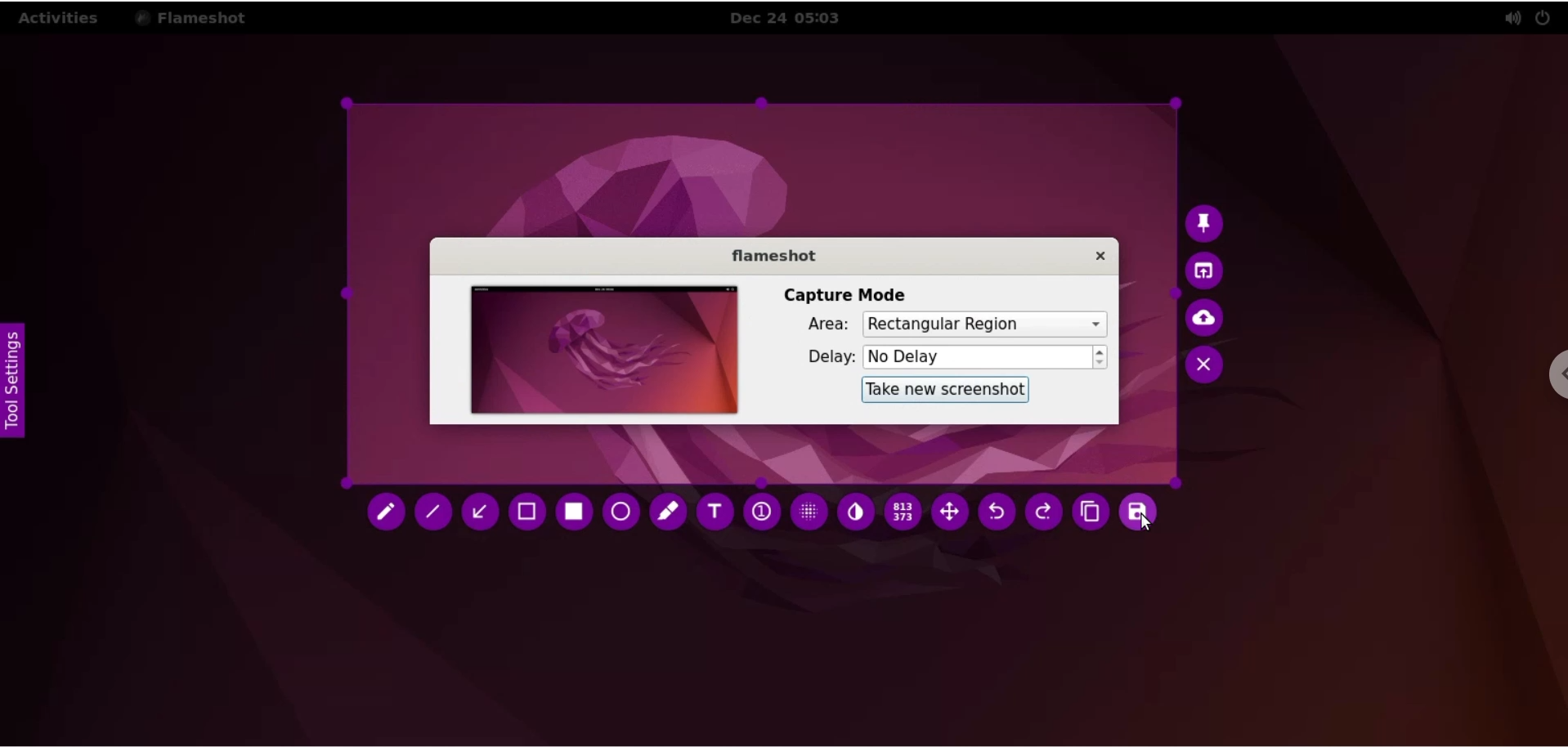 The width and height of the screenshot is (1568, 747). Describe the element at coordinates (480, 511) in the screenshot. I see `arrow` at that location.